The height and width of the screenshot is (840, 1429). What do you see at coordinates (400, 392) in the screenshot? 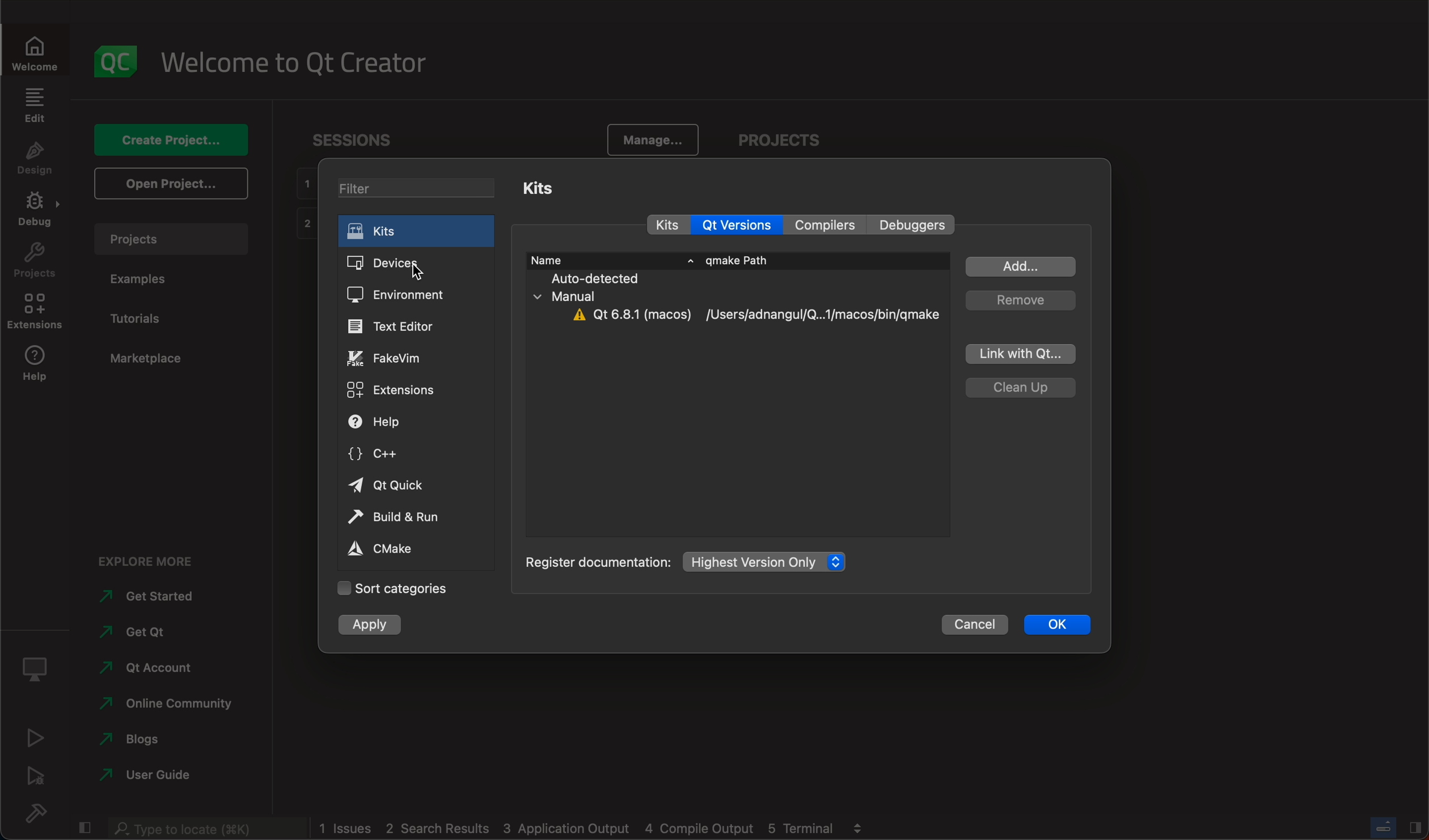
I see `extensions` at bounding box center [400, 392].